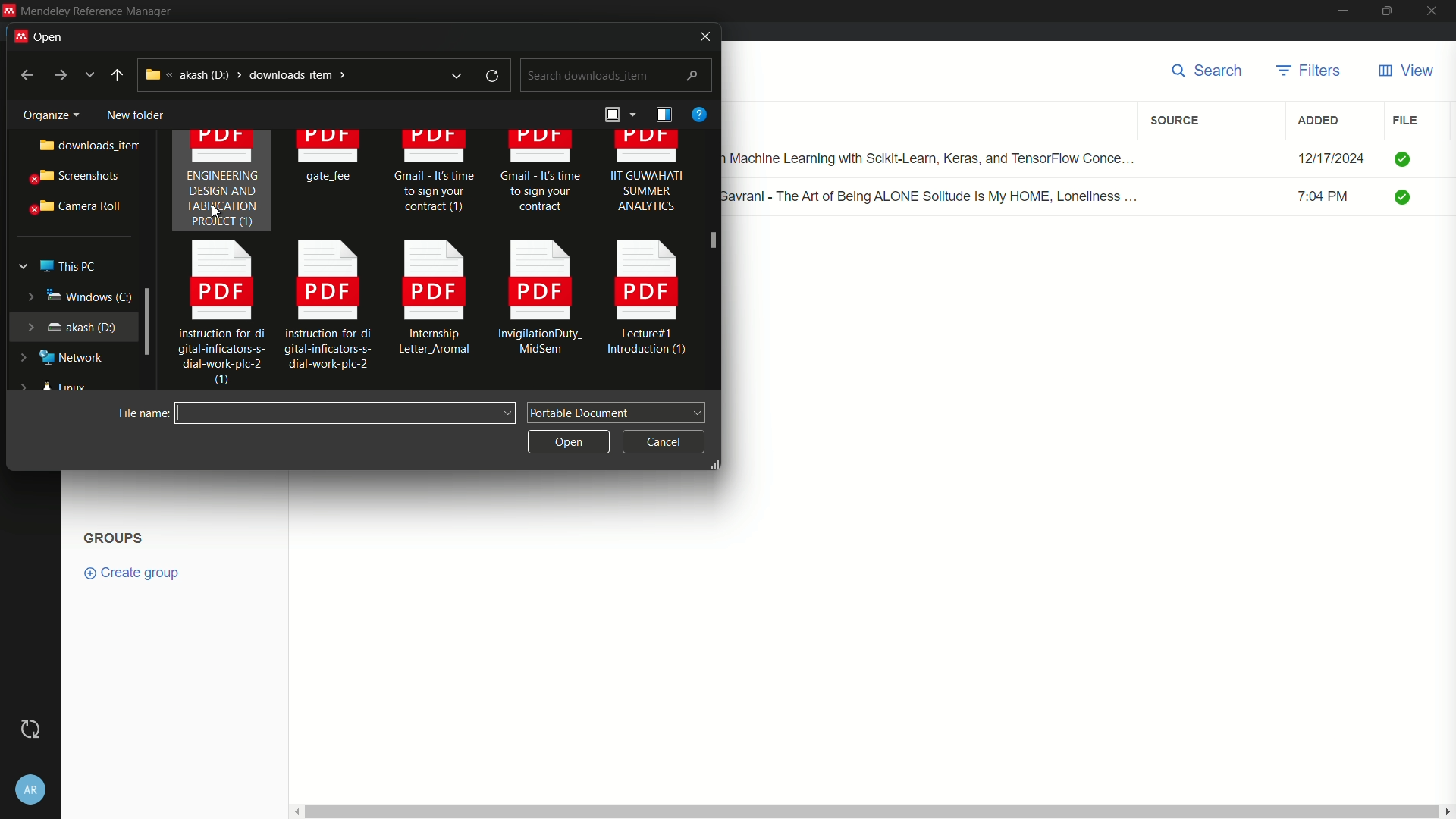 This screenshot has height=819, width=1456. I want to click on 7:04 PM, so click(1332, 199).